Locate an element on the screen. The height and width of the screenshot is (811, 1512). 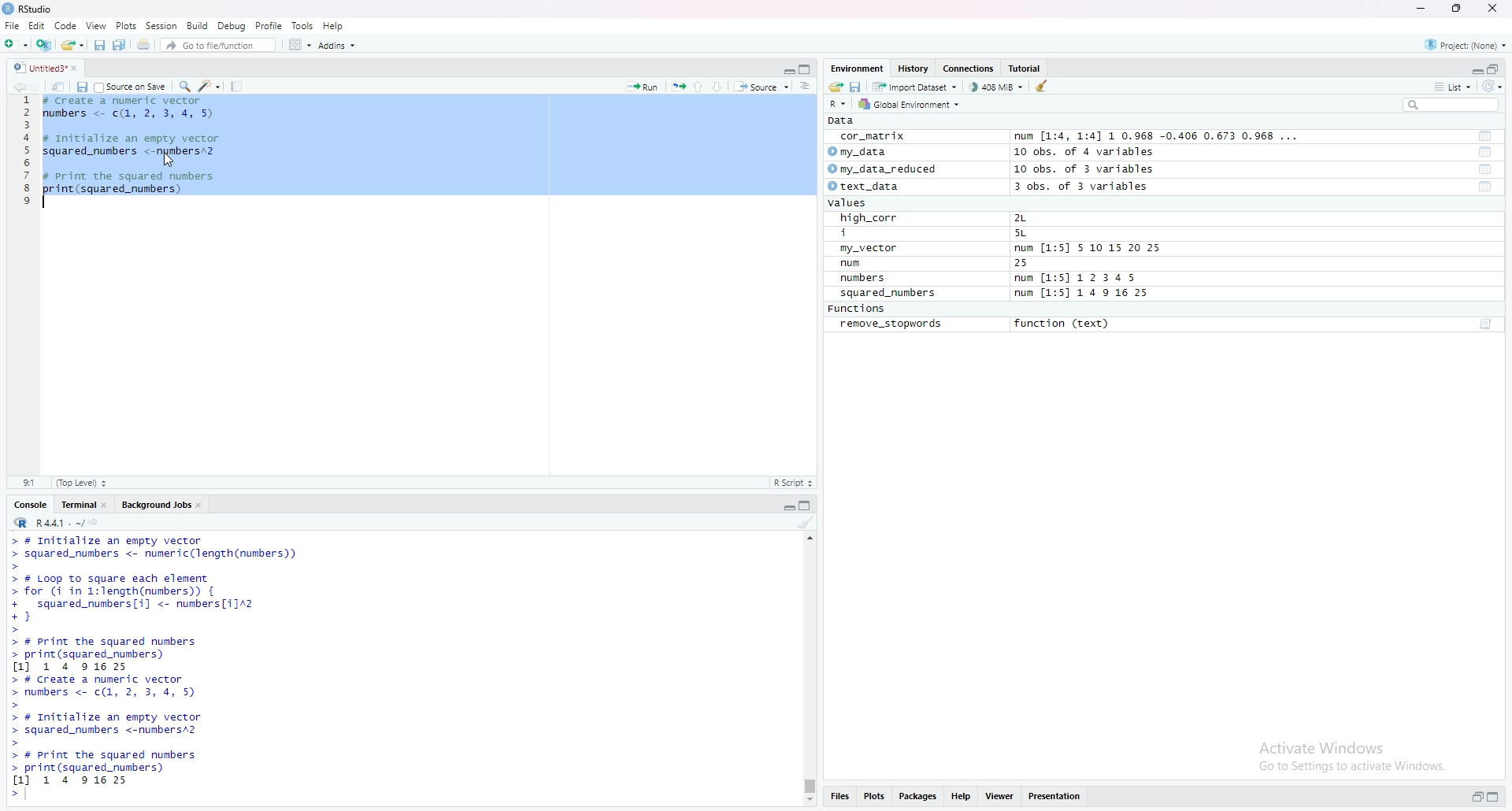
R 4.4.1 ~/ is located at coordinates (46, 521).